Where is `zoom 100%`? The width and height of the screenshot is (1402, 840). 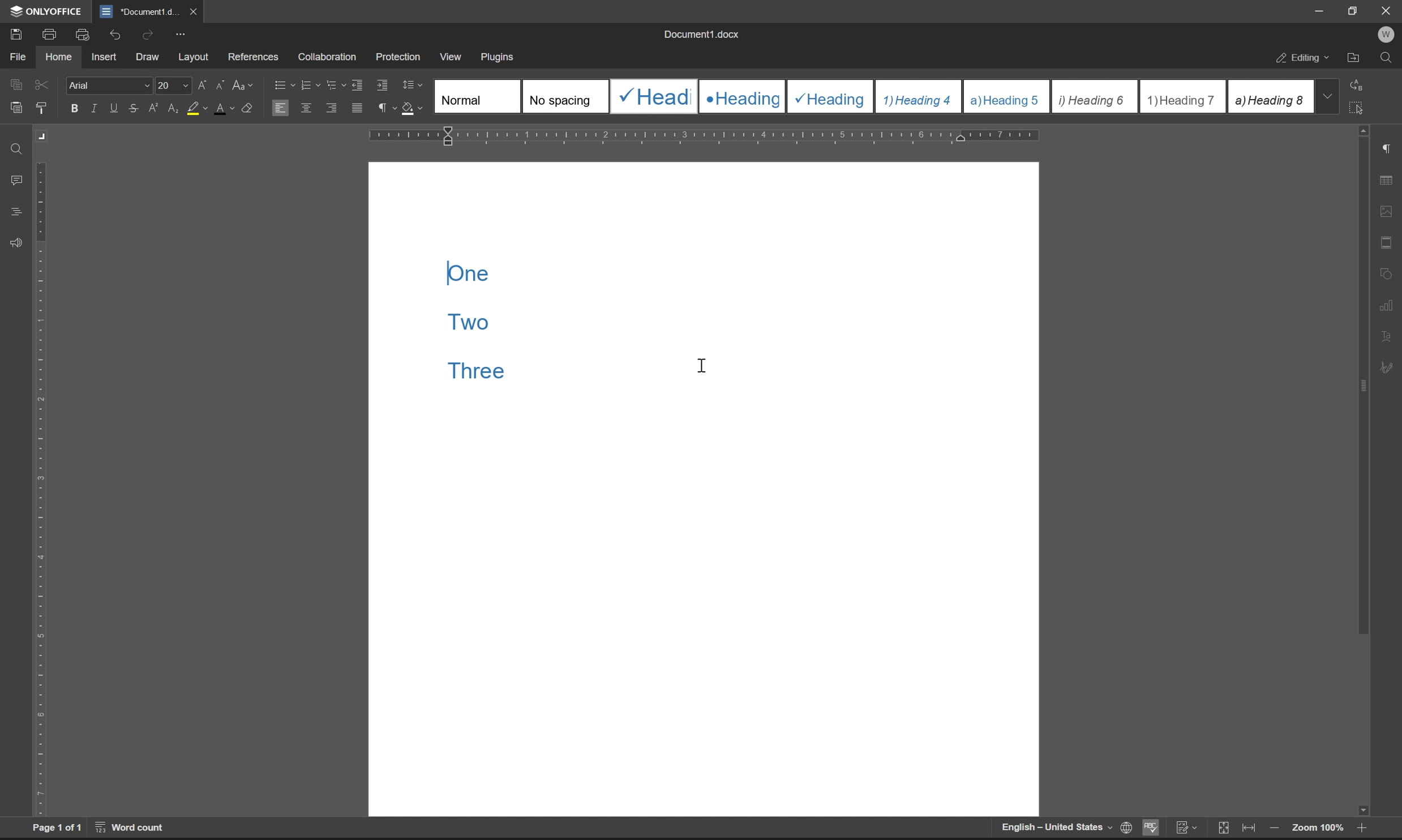
zoom 100% is located at coordinates (1317, 829).